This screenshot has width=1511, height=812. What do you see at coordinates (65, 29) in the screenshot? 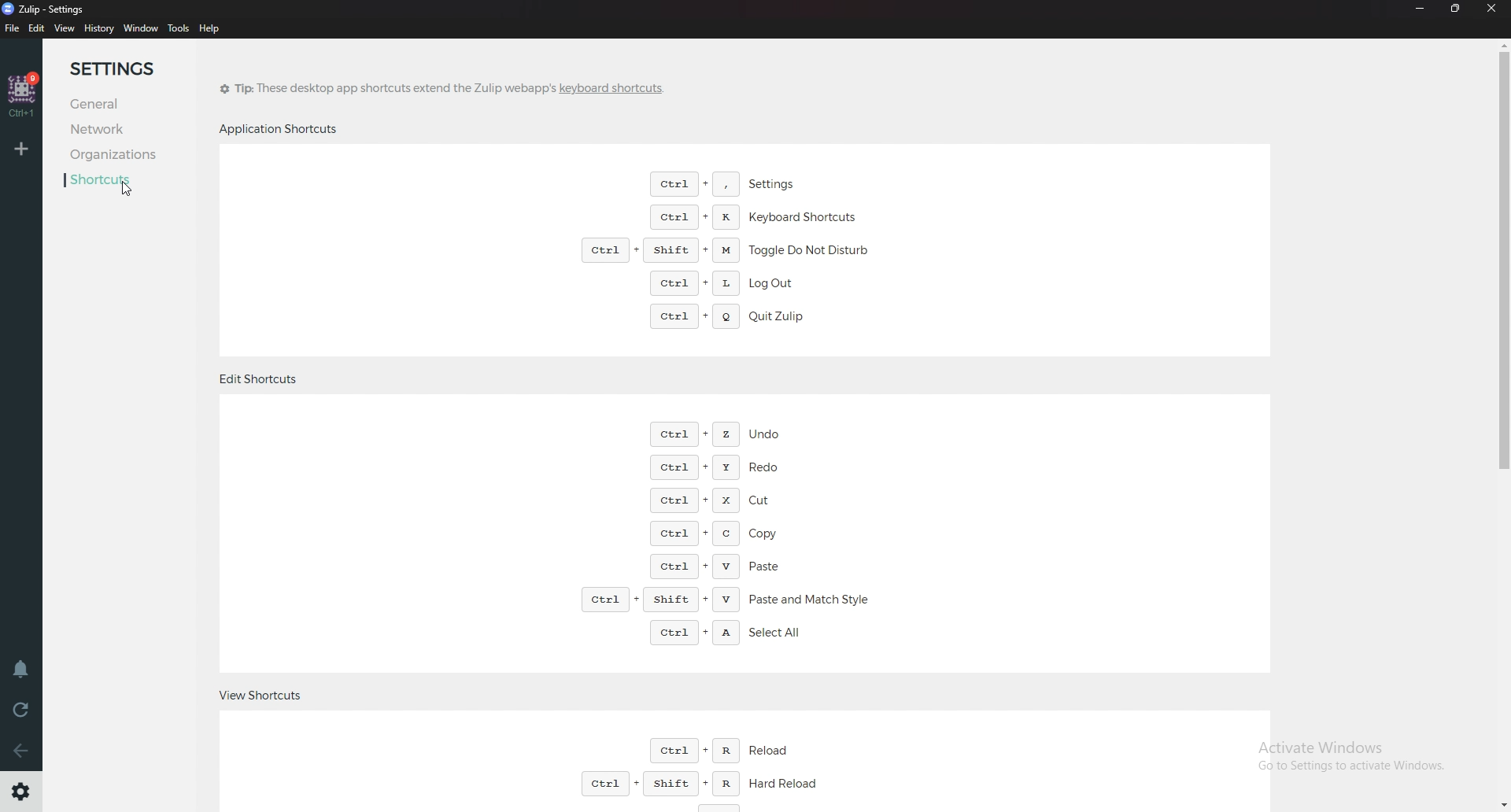
I see `view` at bounding box center [65, 29].